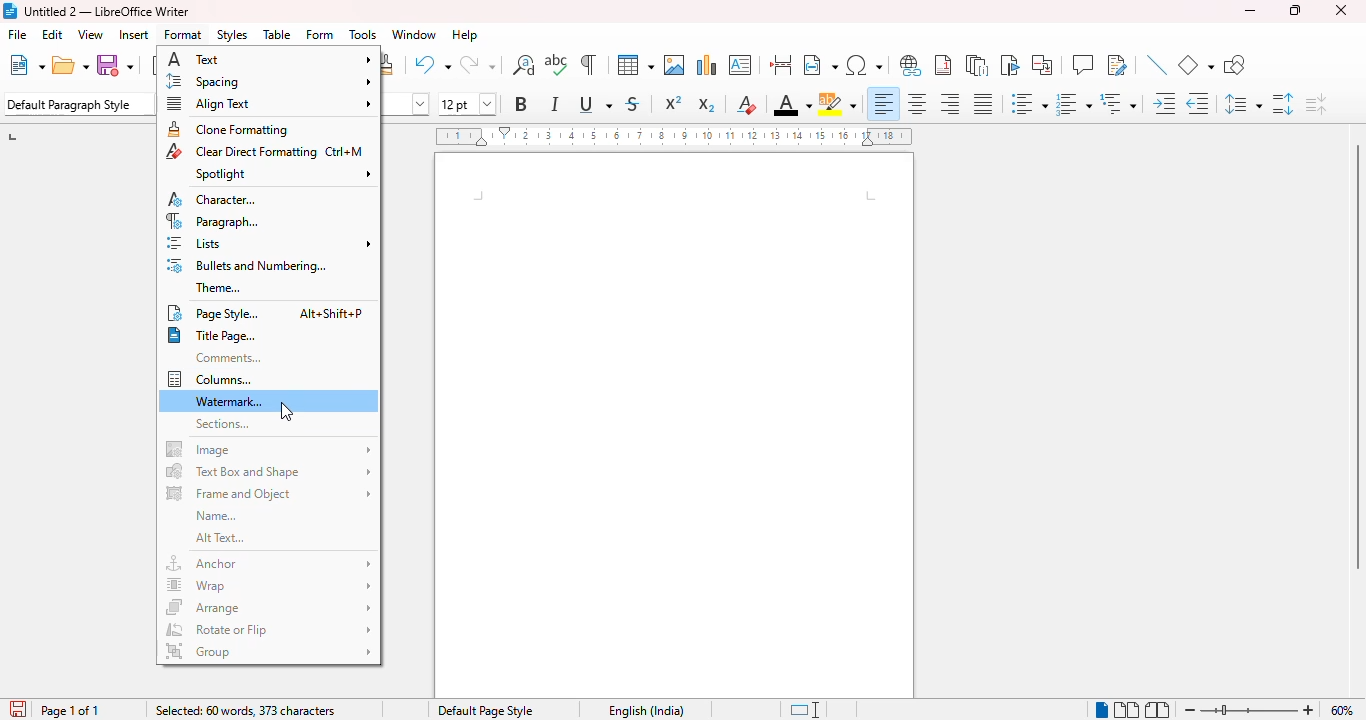 This screenshot has width=1366, height=720. I want to click on watermark, so click(231, 401).